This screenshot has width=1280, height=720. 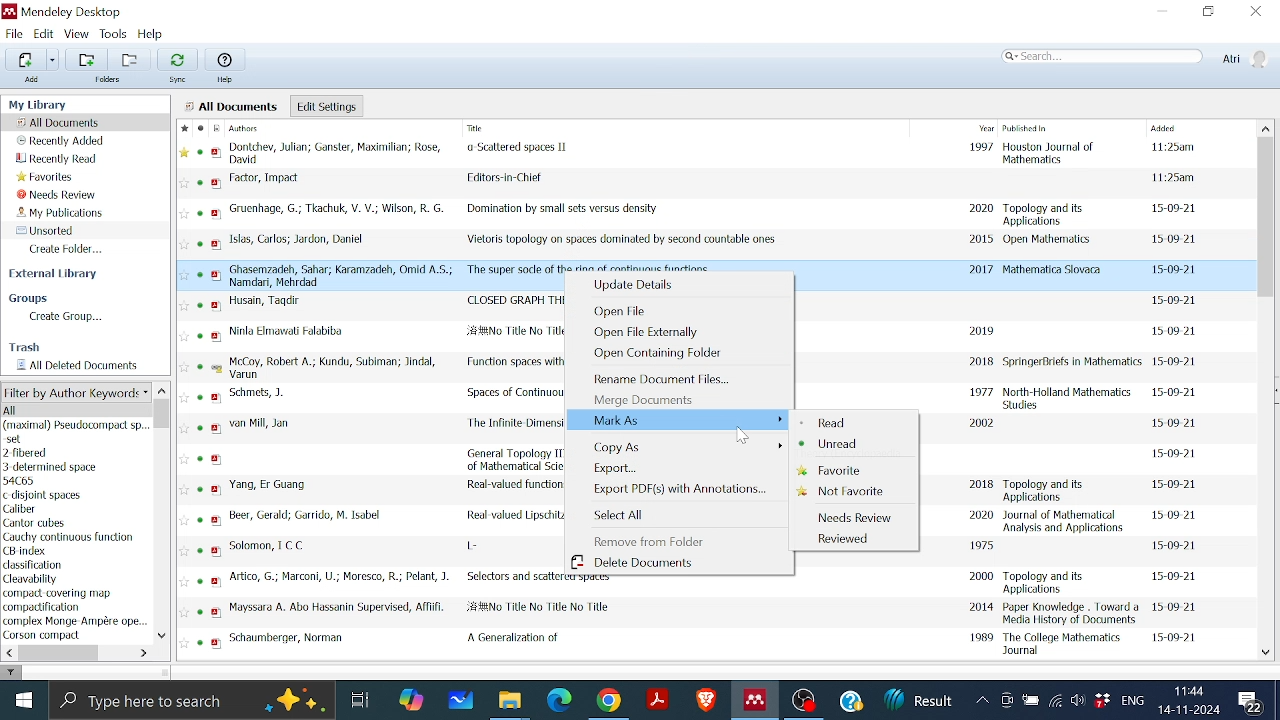 I want to click on Function spaces with uniform, fine and graph topologies, so click(x=372, y=365).